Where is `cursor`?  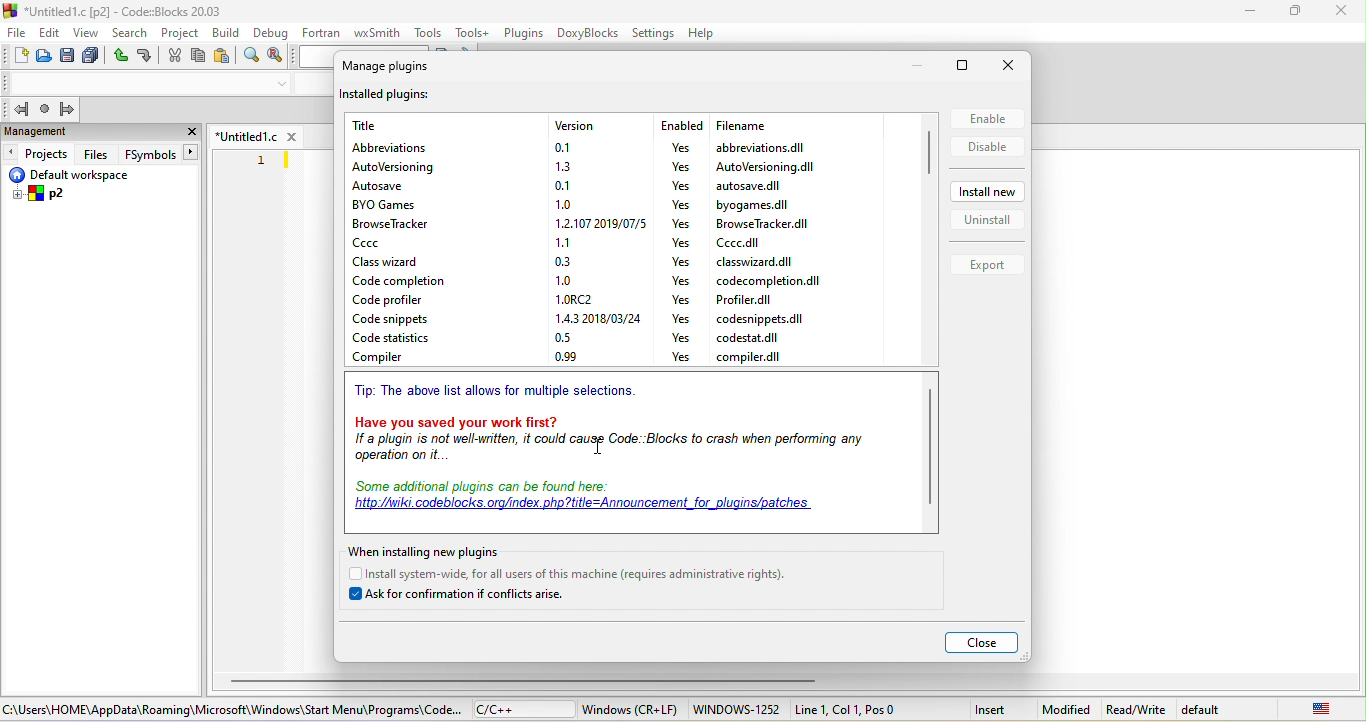 cursor is located at coordinates (598, 446).